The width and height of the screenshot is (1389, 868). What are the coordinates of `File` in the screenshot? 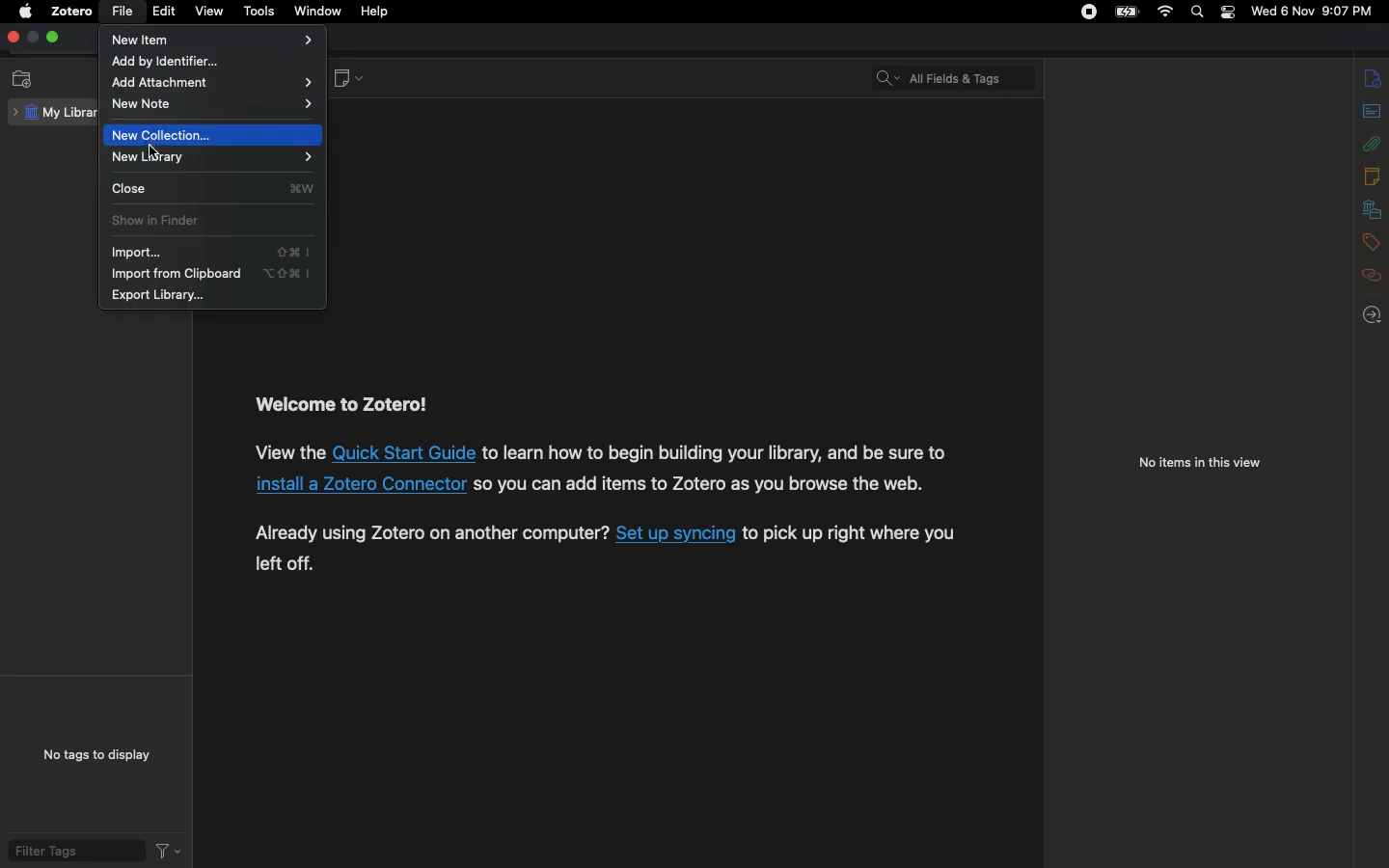 It's located at (125, 12).